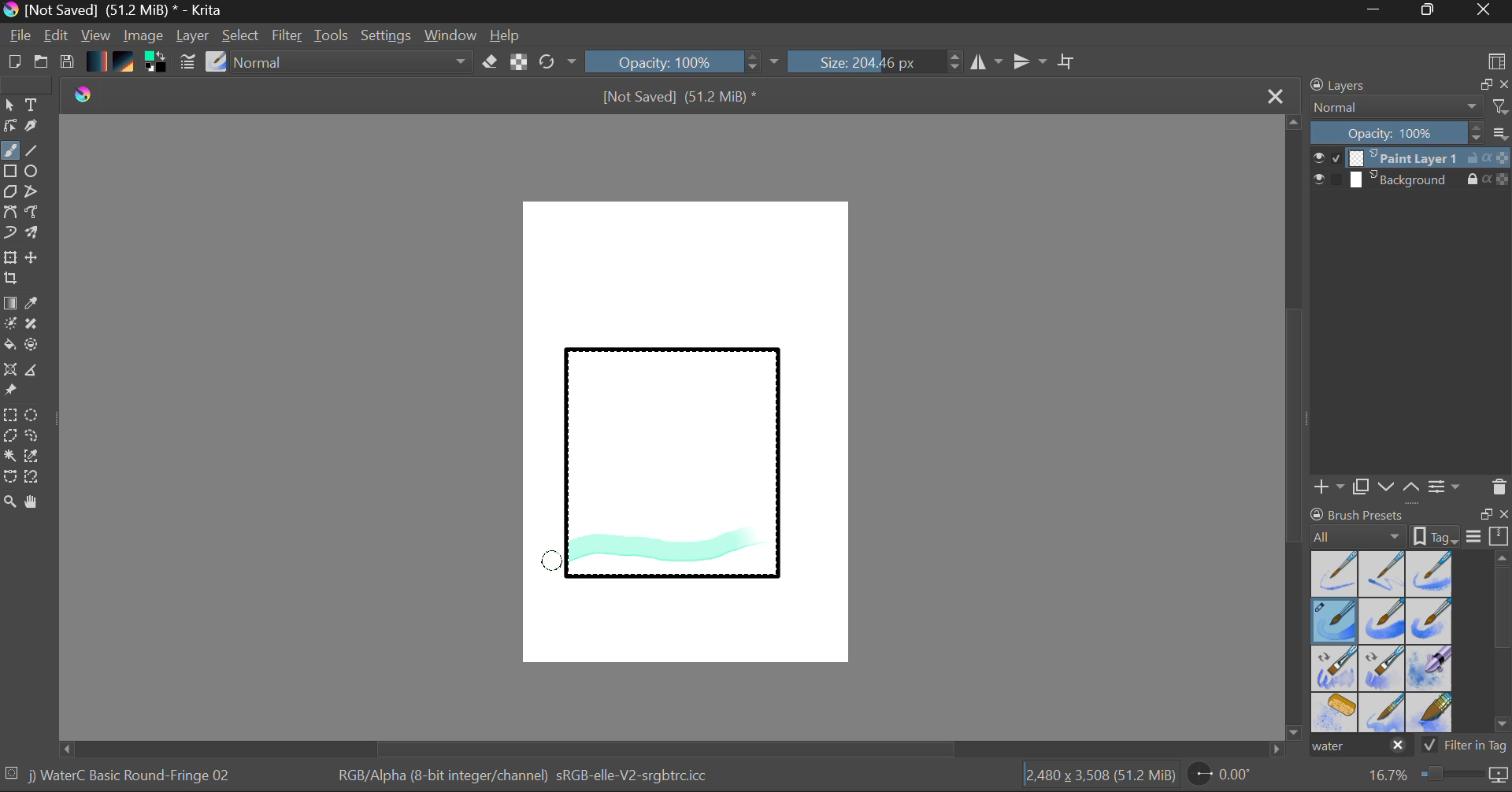 The image size is (1512, 792). I want to click on Rectangle, so click(11, 172).